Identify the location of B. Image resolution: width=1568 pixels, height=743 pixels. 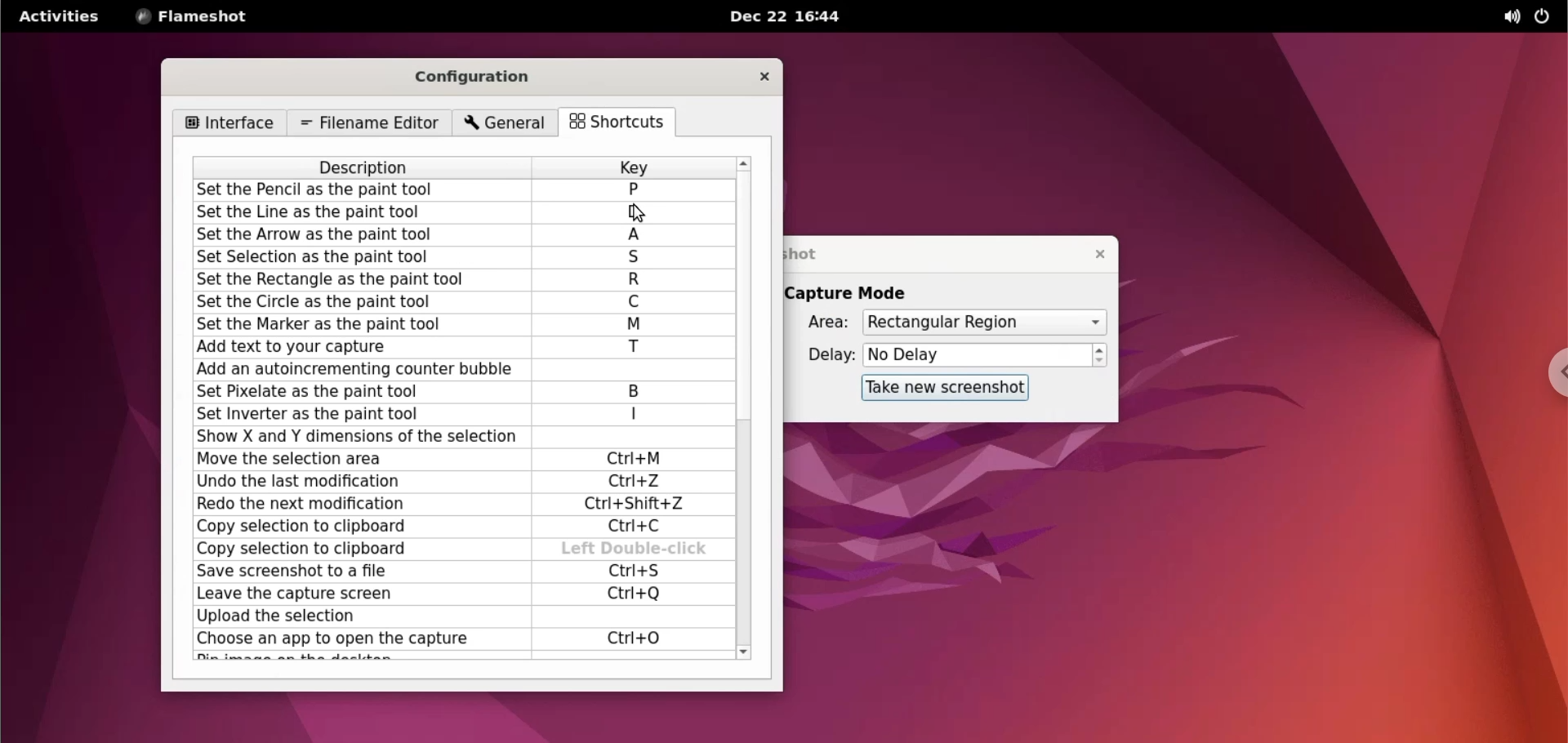
(643, 391).